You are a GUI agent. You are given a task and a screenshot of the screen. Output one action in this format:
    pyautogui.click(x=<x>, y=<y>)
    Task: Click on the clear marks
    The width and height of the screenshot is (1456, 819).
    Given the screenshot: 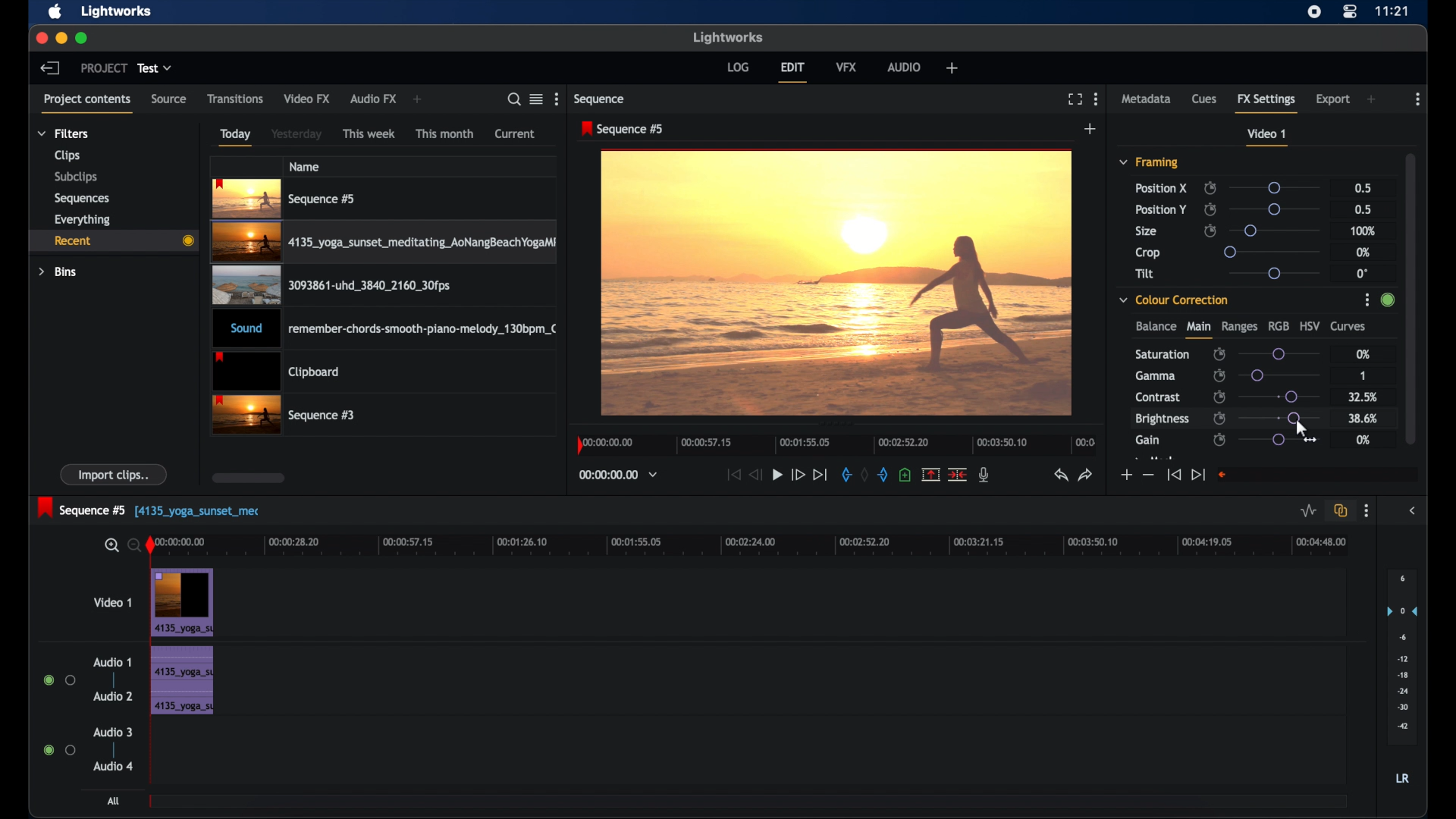 What is the action you would take?
    pyautogui.click(x=864, y=475)
    